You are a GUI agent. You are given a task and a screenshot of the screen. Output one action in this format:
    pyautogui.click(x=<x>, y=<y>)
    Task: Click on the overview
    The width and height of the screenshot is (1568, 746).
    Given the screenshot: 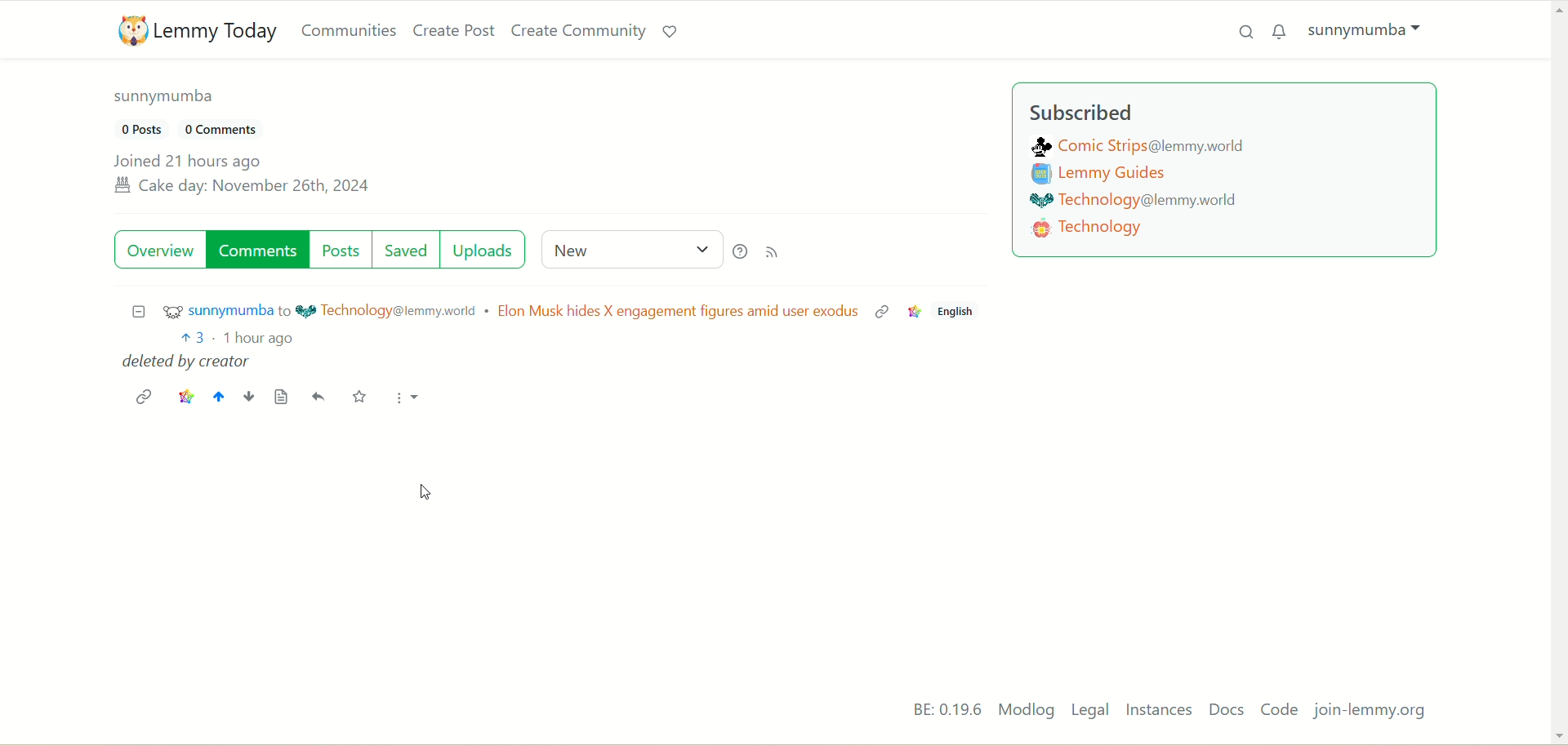 What is the action you would take?
    pyautogui.click(x=159, y=251)
    